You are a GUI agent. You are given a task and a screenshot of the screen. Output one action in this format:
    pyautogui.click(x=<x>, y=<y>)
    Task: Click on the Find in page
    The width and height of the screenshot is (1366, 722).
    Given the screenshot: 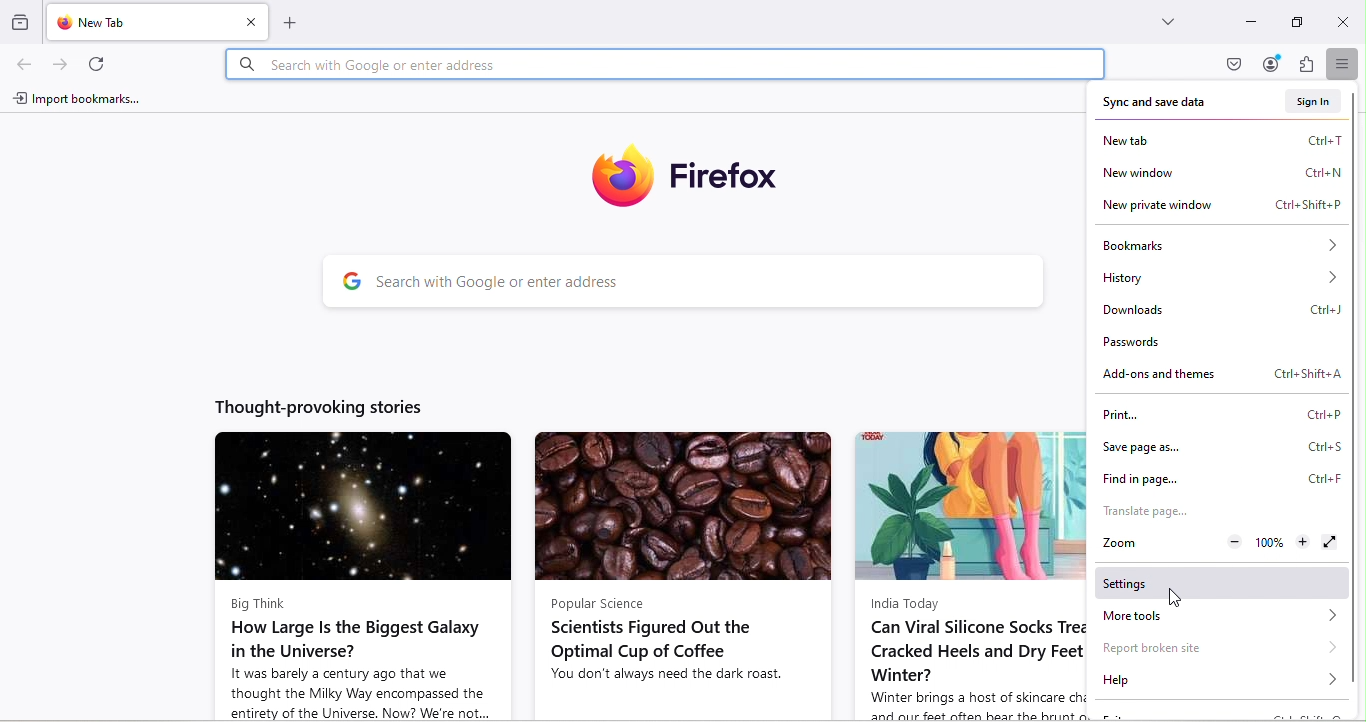 What is the action you would take?
    pyautogui.click(x=1225, y=480)
    